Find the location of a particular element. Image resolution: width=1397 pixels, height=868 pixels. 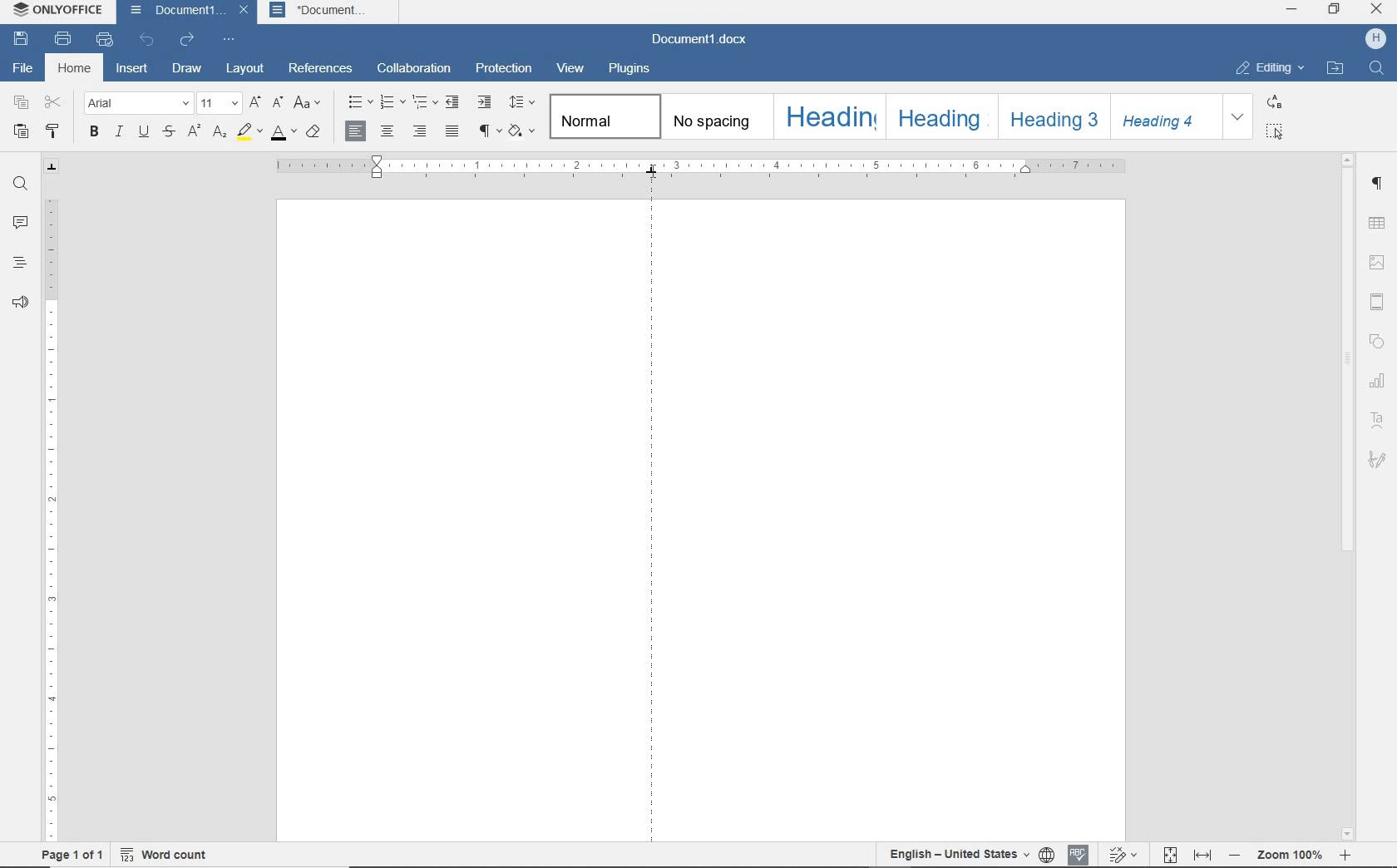

CUT is located at coordinates (52, 102).